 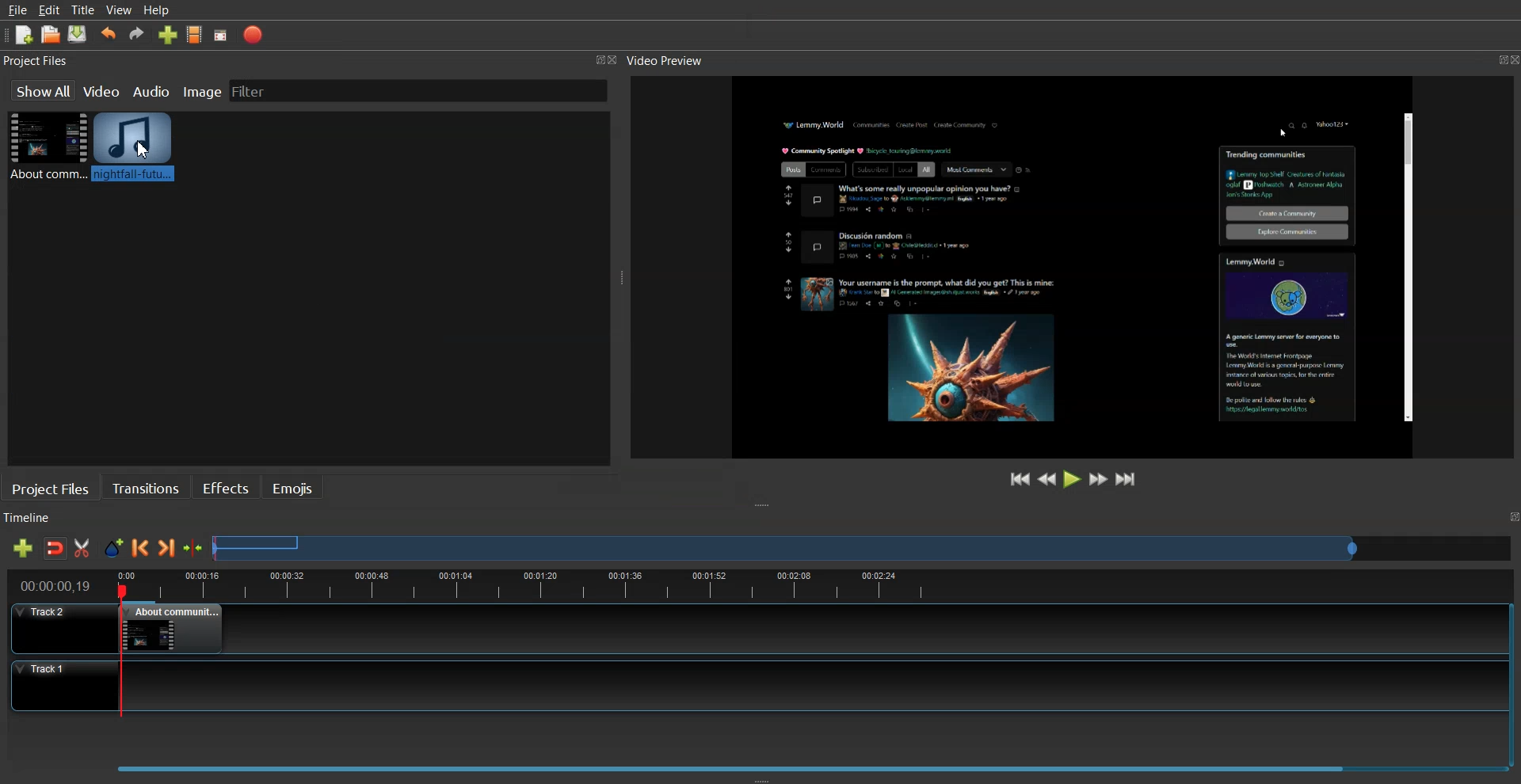 What do you see at coordinates (673, 61) in the screenshot?
I see `Video Preview` at bounding box center [673, 61].